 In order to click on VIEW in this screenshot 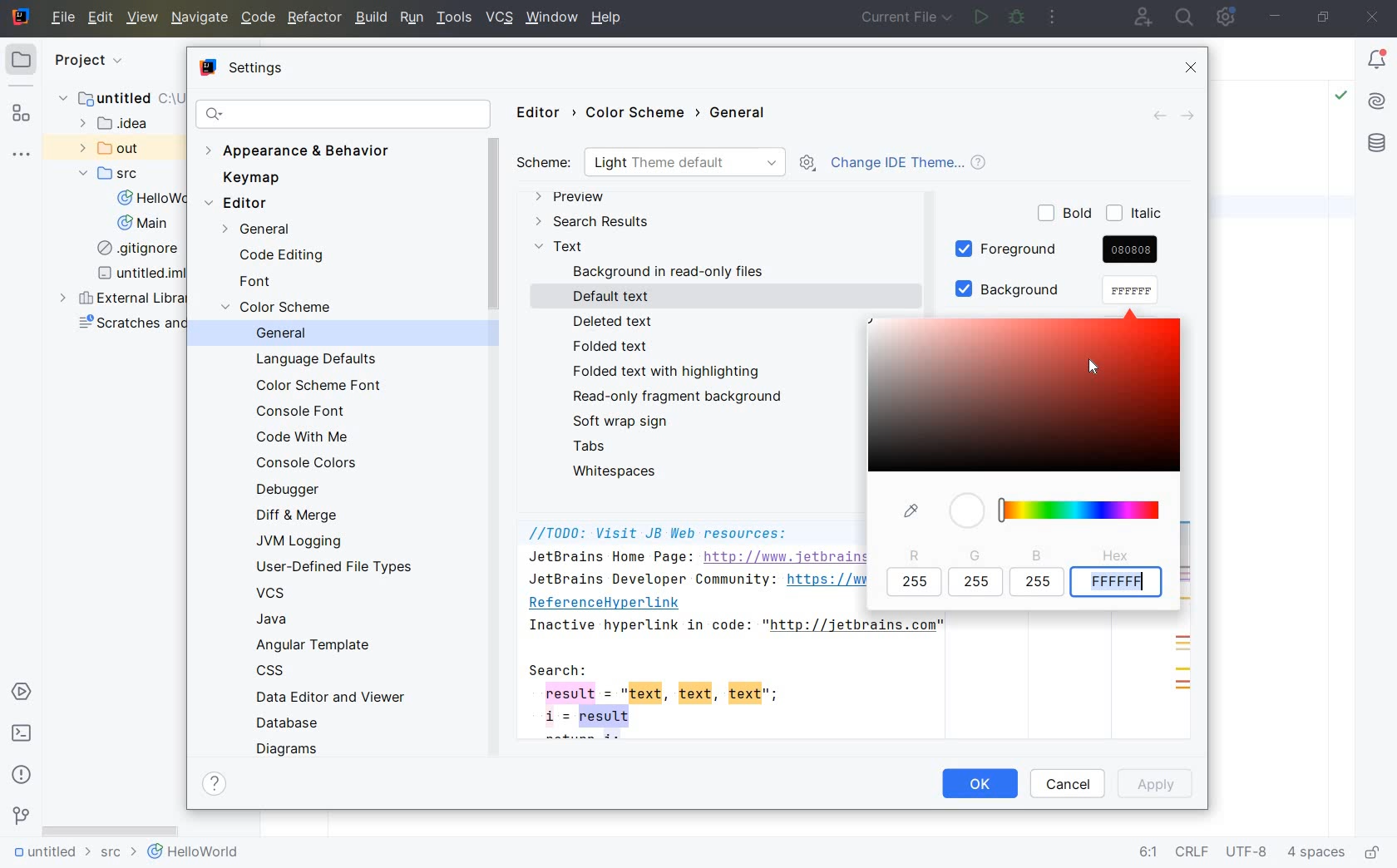, I will do `click(143, 18)`.